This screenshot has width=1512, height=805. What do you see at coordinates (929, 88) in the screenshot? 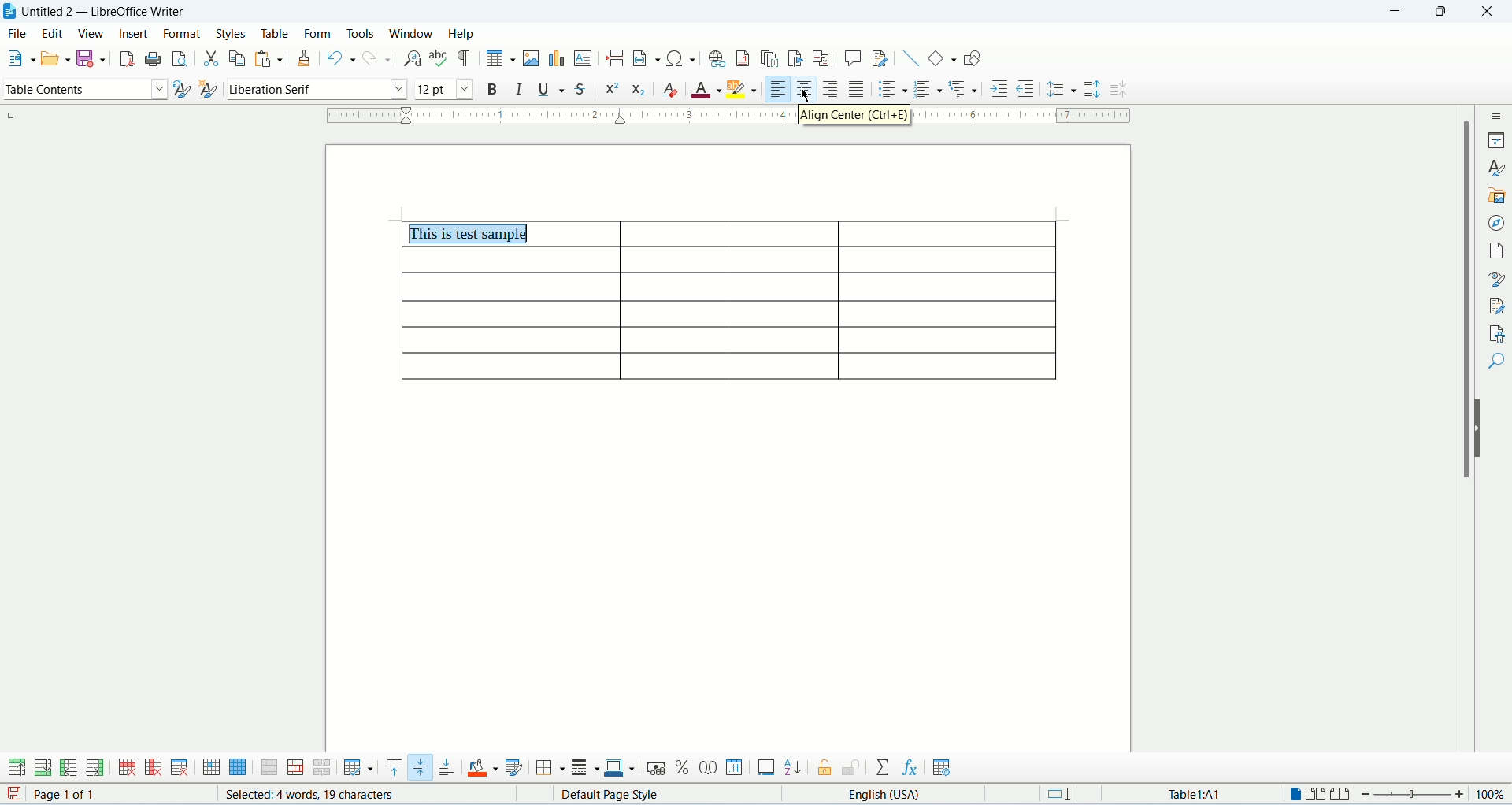
I see `ordered list` at bounding box center [929, 88].